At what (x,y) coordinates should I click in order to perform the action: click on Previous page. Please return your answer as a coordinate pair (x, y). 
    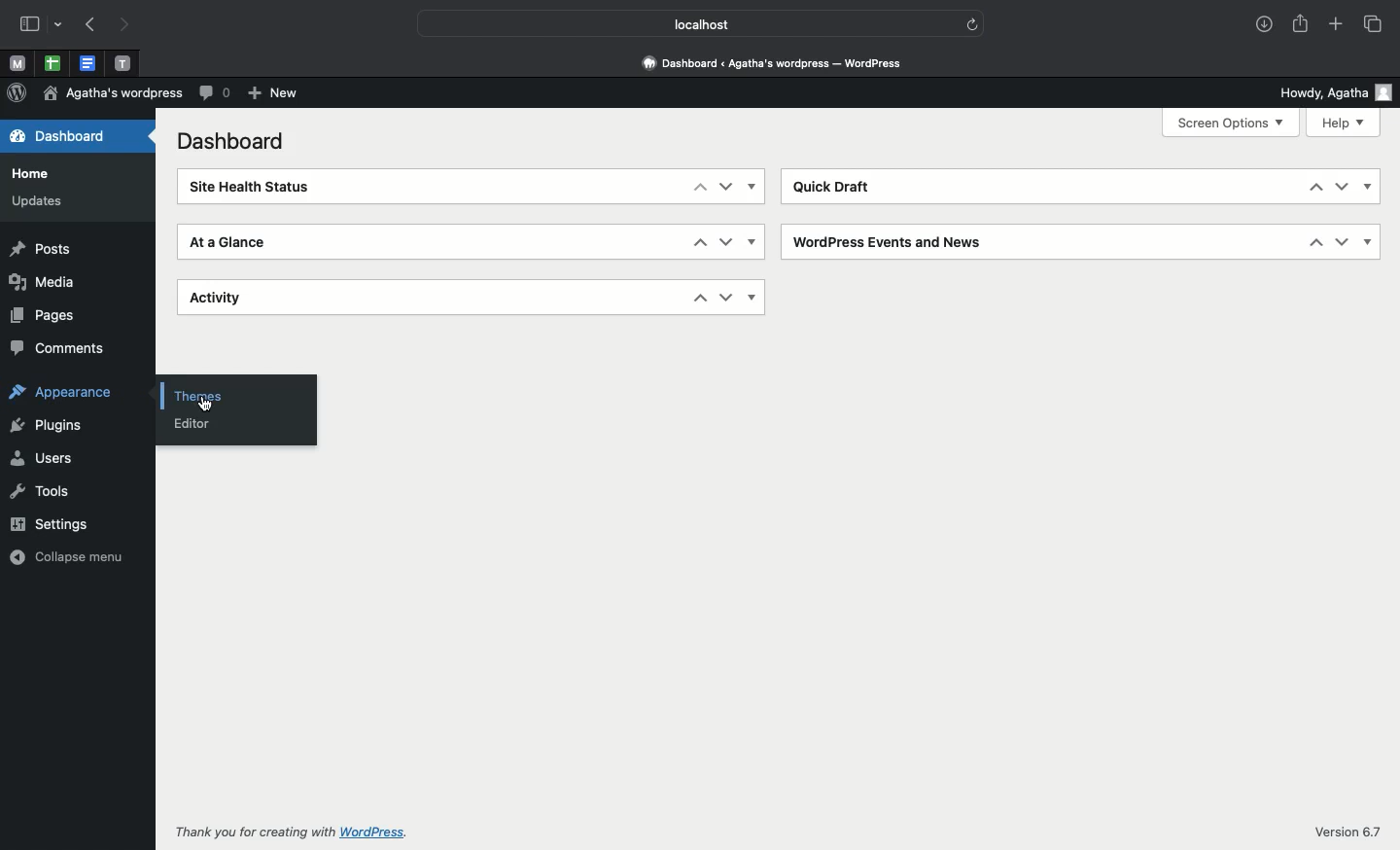
    Looking at the image, I should click on (88, 26).